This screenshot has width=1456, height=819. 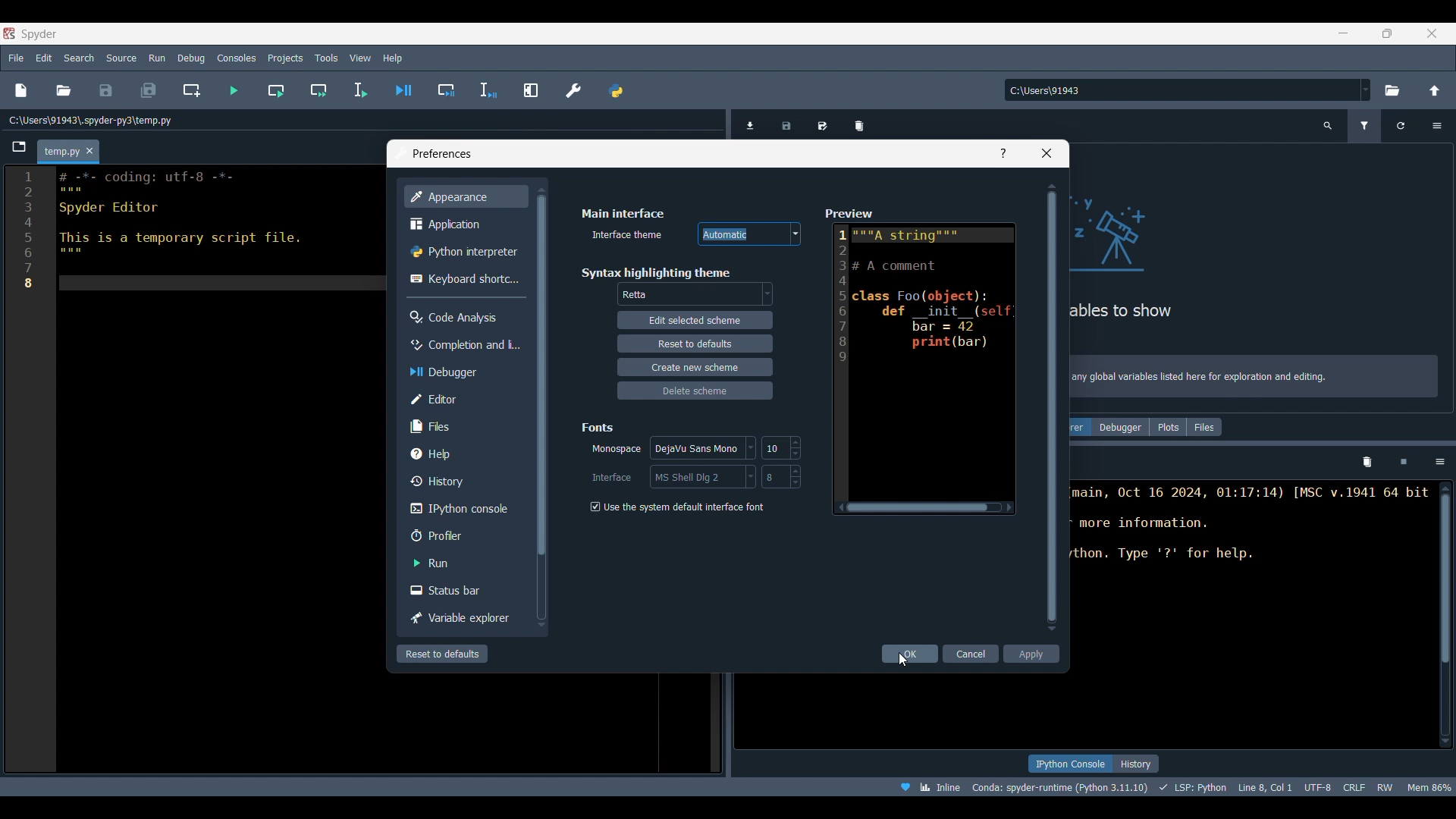 I want to click on Create new cell at the current line, so click(x=192, y=90).